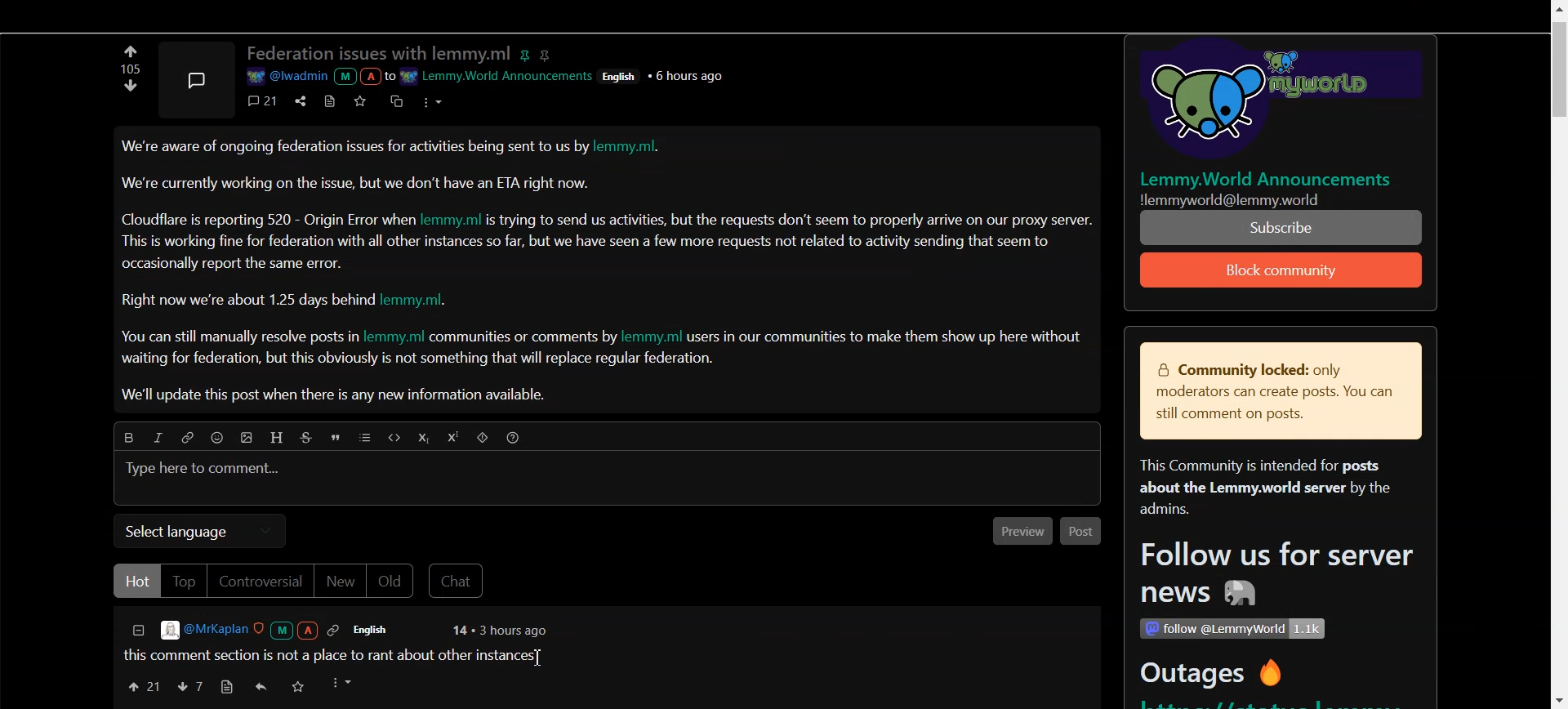 Image resolution: width=1568 pixels, height=709 pixels. What do you see at coordinates (131, 91) in the screenshot?
I see `Upvote` at bounding box center [131, 91].